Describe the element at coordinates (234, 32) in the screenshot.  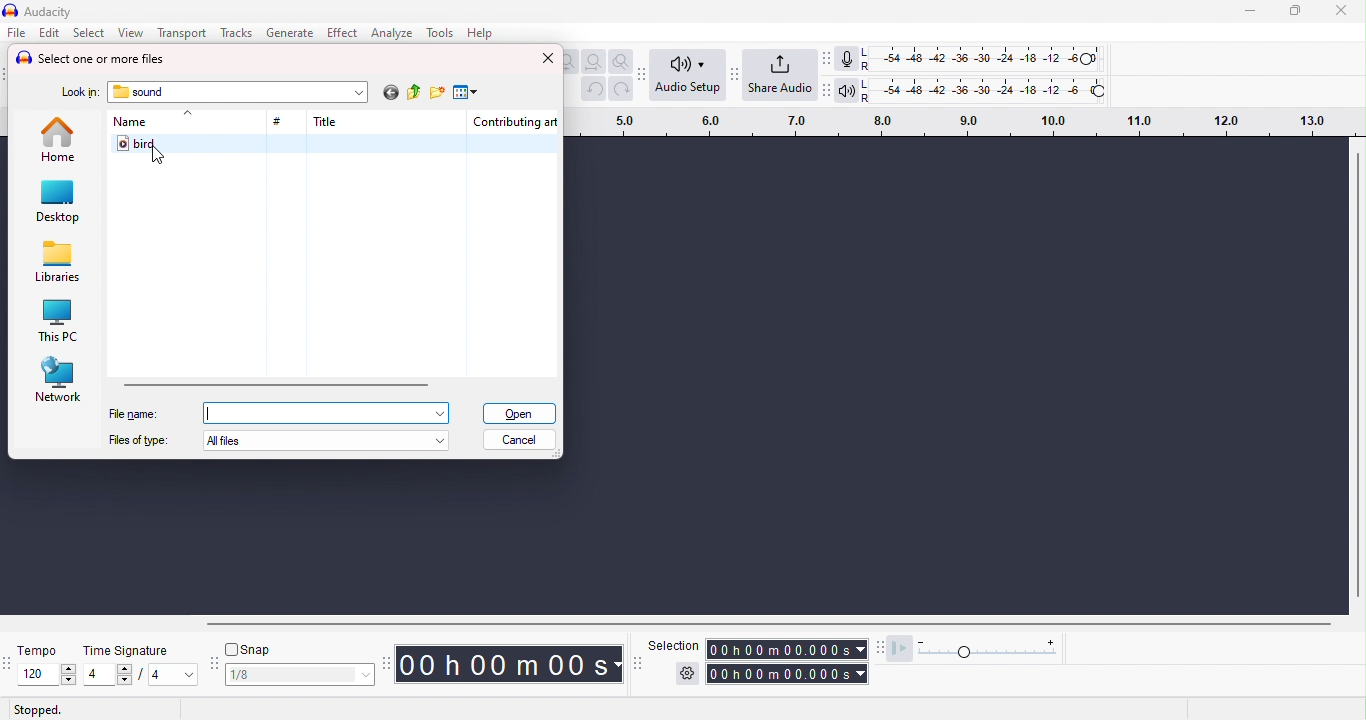
I see `tracks` at that location.